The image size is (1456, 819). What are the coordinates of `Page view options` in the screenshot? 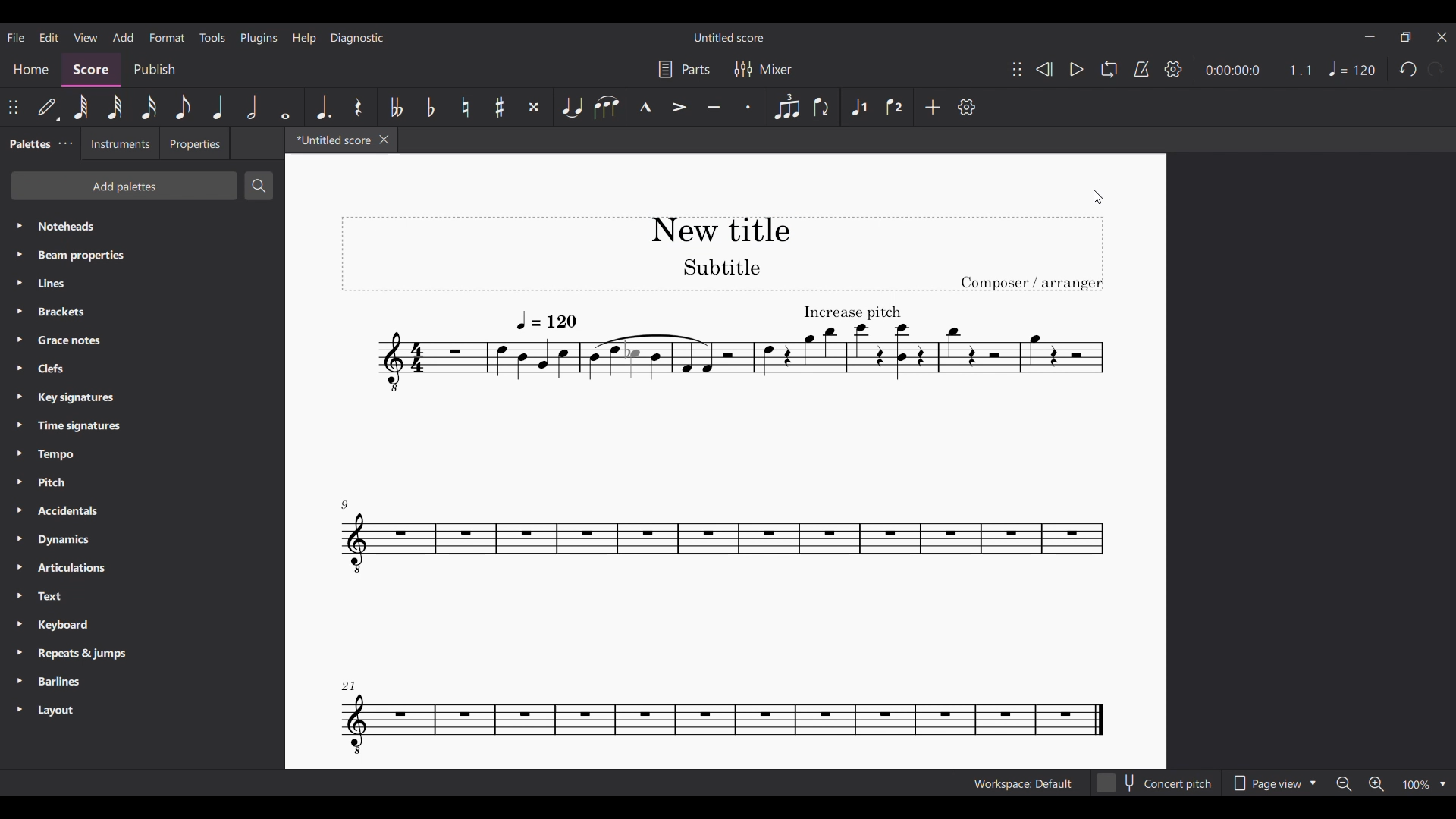 It's located at (1272, 783).